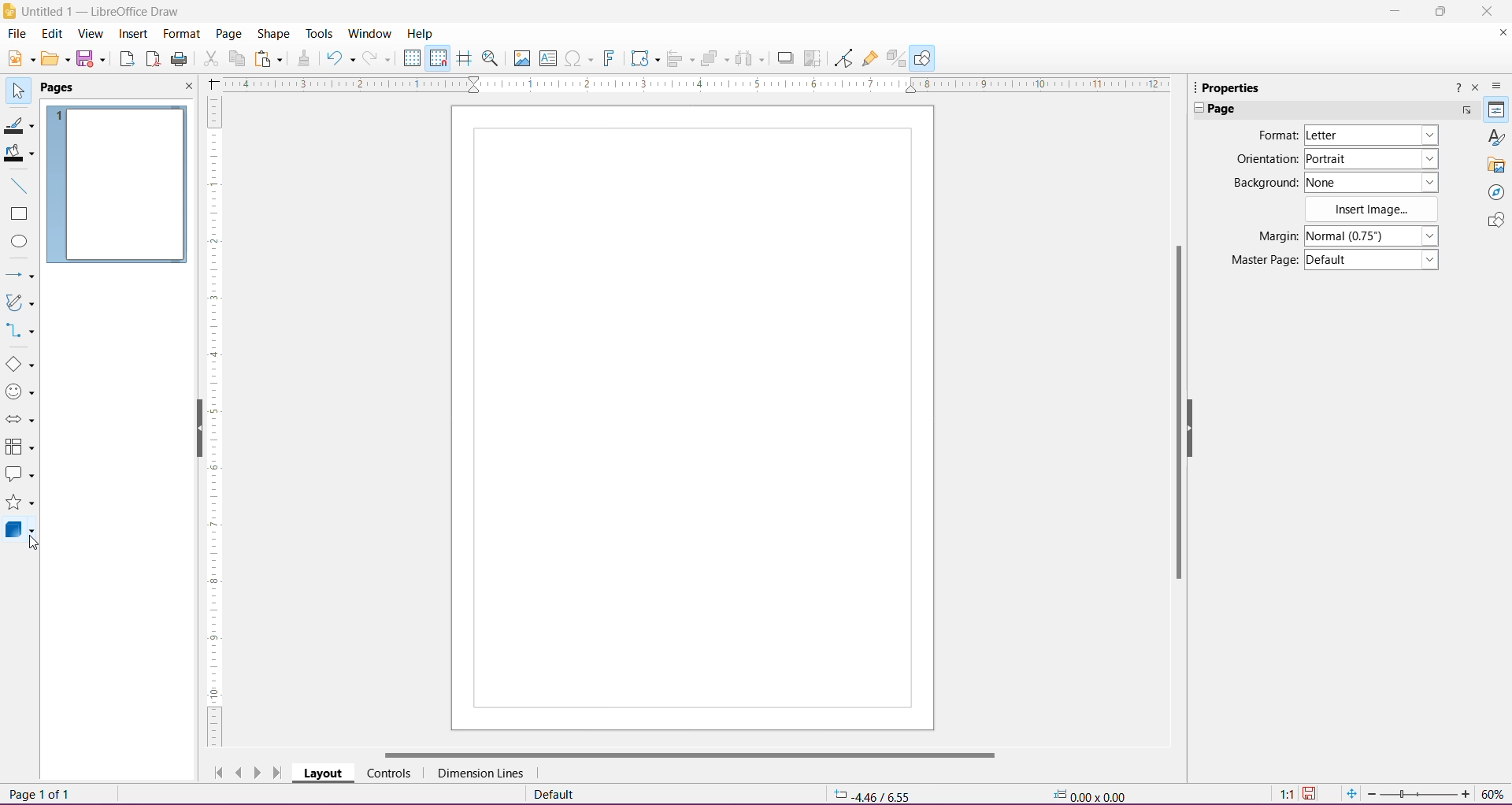  What do you see at coordinates (691, 84) in the screenshot?
I see `Ruler` at bounding box center [691, 84].